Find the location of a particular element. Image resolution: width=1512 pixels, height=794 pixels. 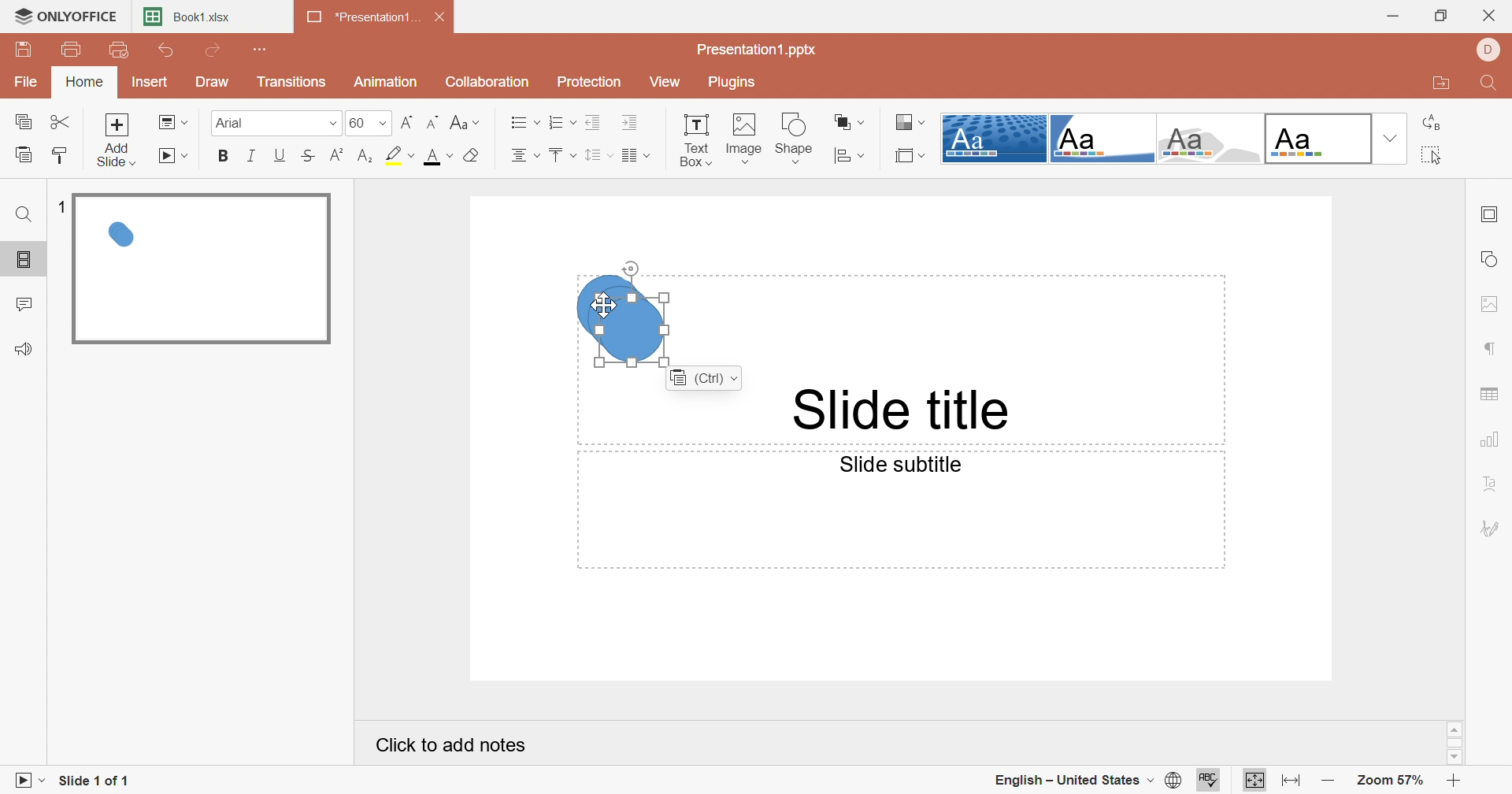

Dotted is located at coordinates (993, 139).